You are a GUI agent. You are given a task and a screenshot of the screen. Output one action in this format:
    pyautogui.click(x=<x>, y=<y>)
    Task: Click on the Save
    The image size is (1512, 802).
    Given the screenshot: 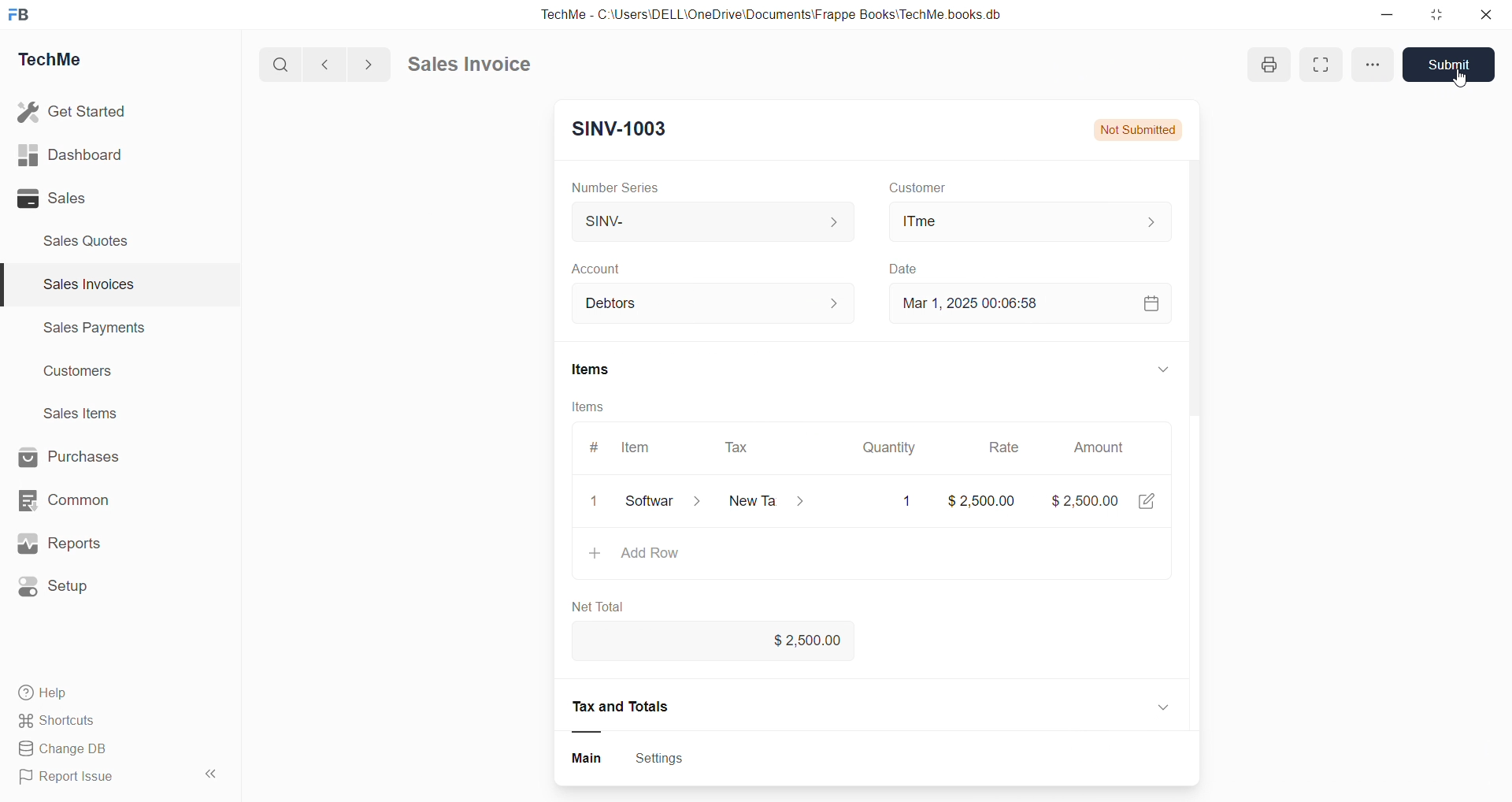 What is the action you would take?
    pyautogui.click(x=1448, y=61)
    